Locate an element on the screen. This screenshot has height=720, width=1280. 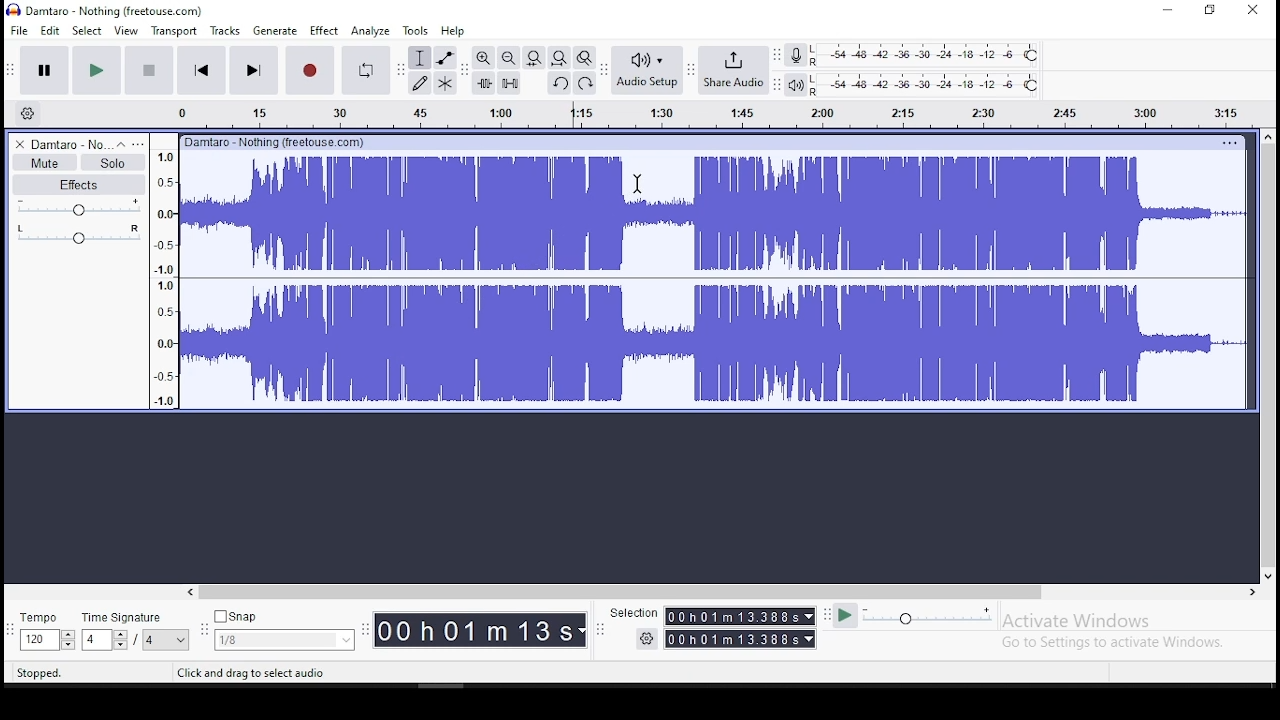
fit project to width is located at coordinates (535, 57).